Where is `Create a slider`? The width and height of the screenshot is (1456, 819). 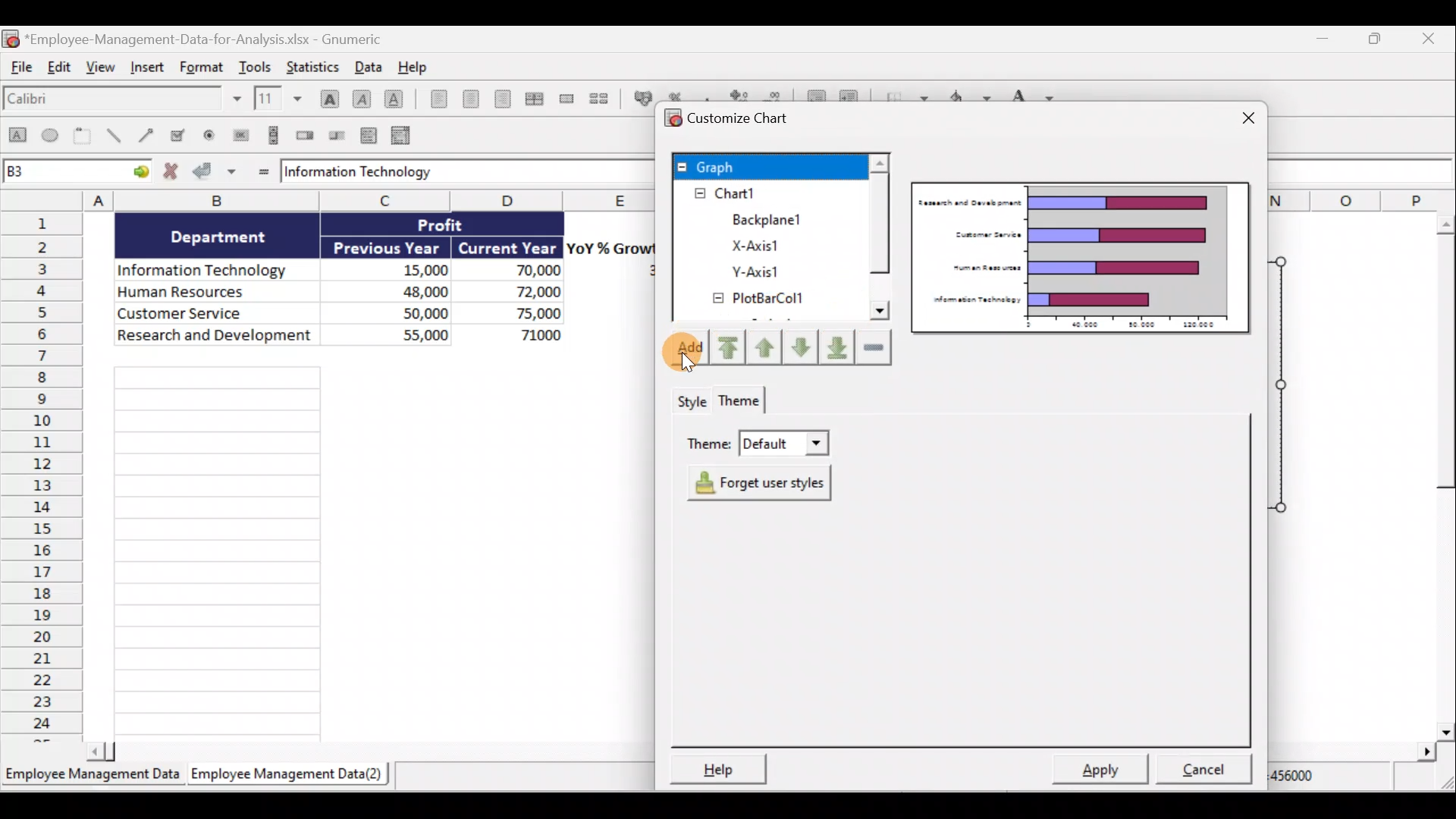
Create a slider is located at coordinates (335, 136).